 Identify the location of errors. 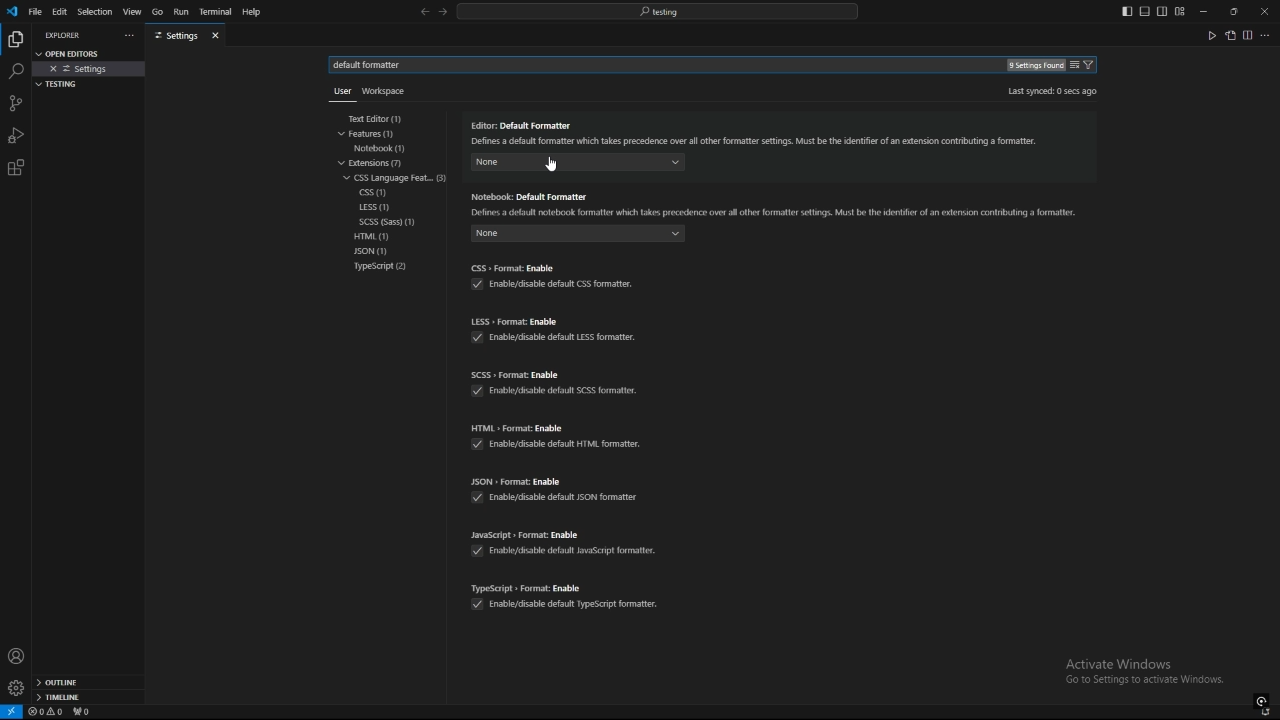
(46, 712).